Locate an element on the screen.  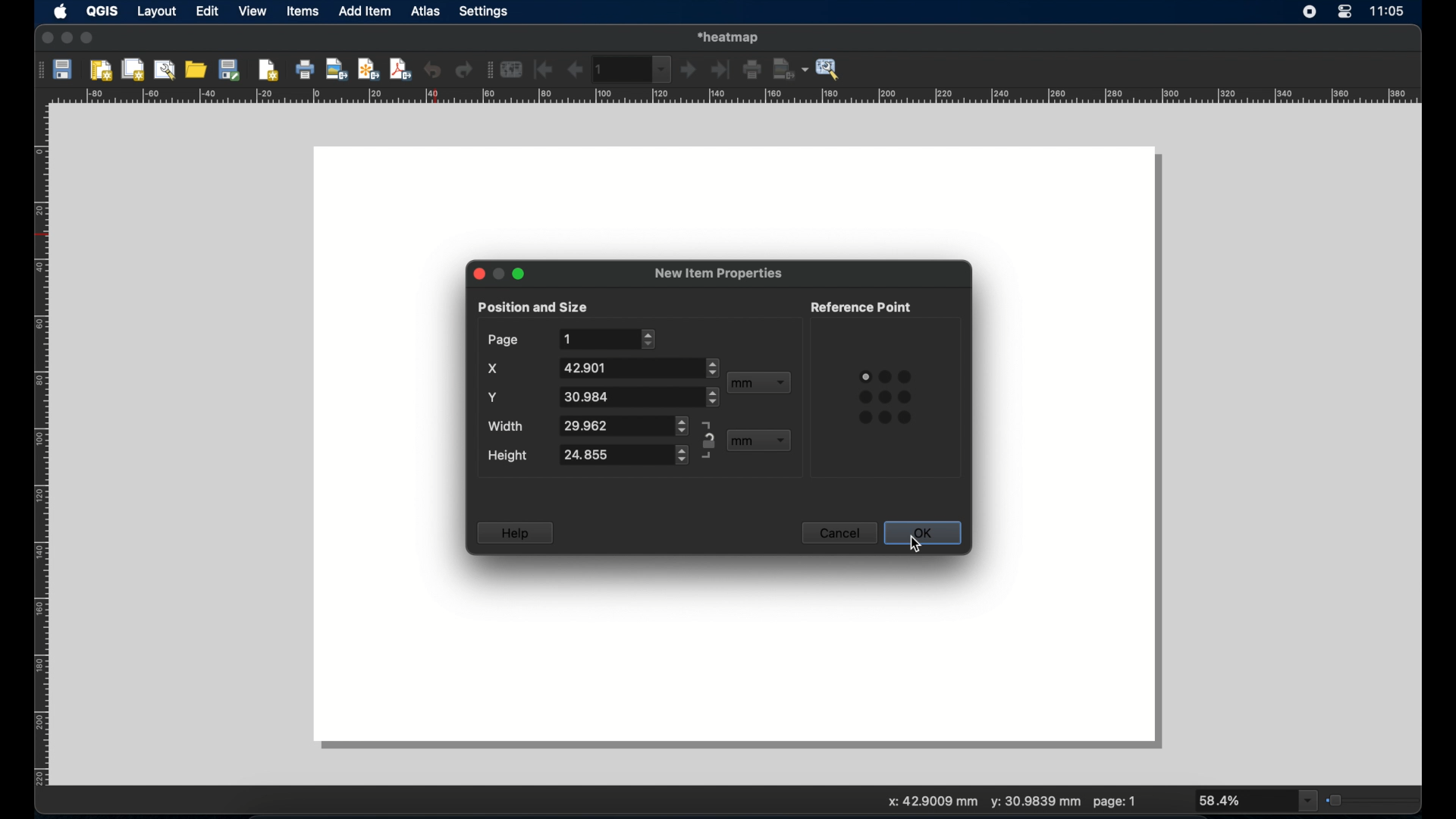
inactive minimize button is located at coordinates (498, 276).